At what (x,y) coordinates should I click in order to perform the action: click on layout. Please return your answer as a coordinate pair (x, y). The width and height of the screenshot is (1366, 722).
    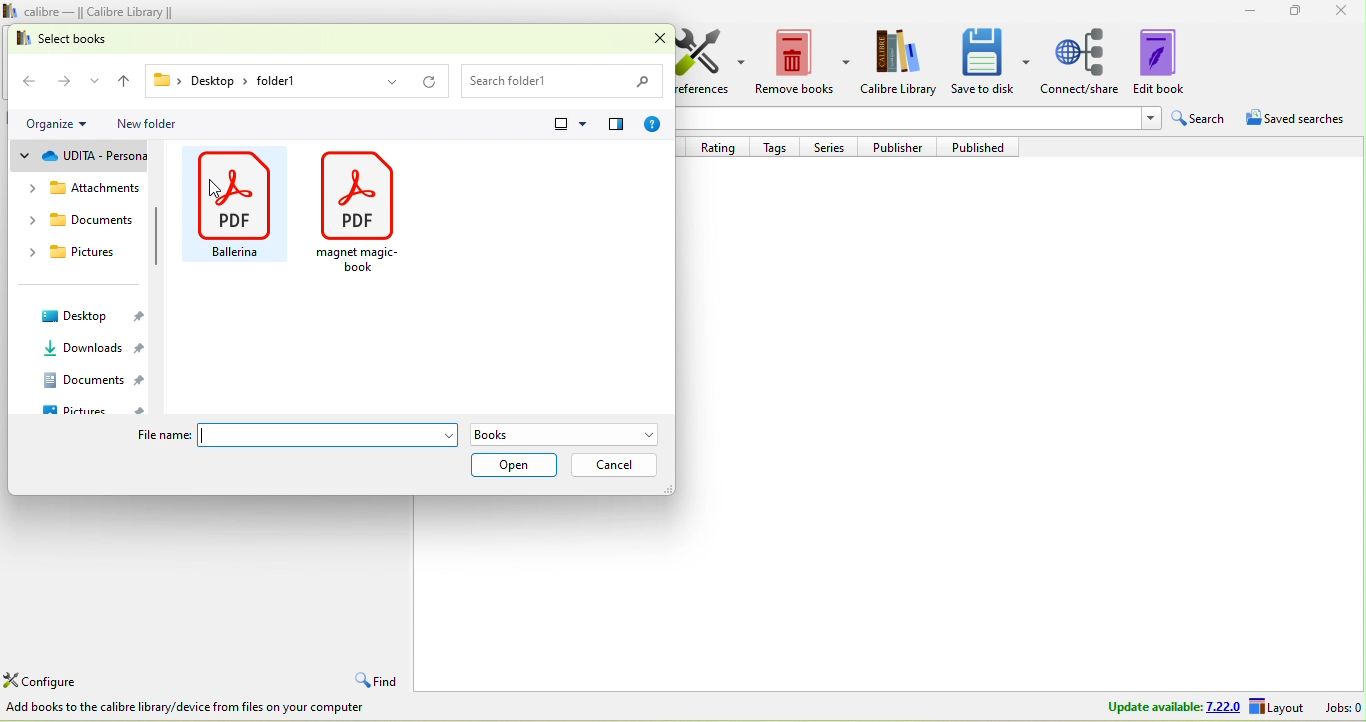
    Looking at the image, I should click on (1279, 707).